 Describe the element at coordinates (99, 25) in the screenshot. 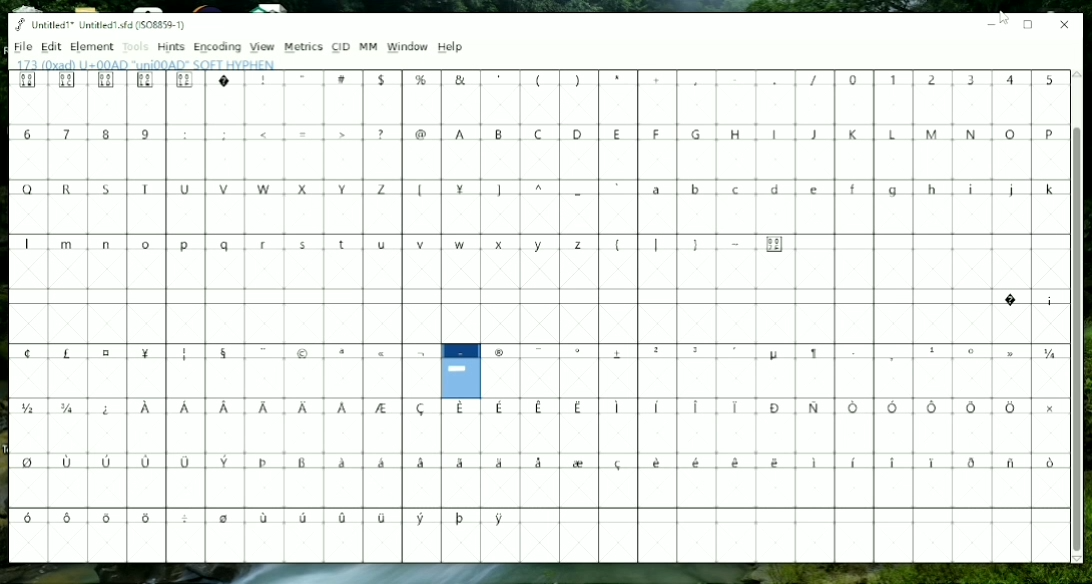

I see `Title` at that location.